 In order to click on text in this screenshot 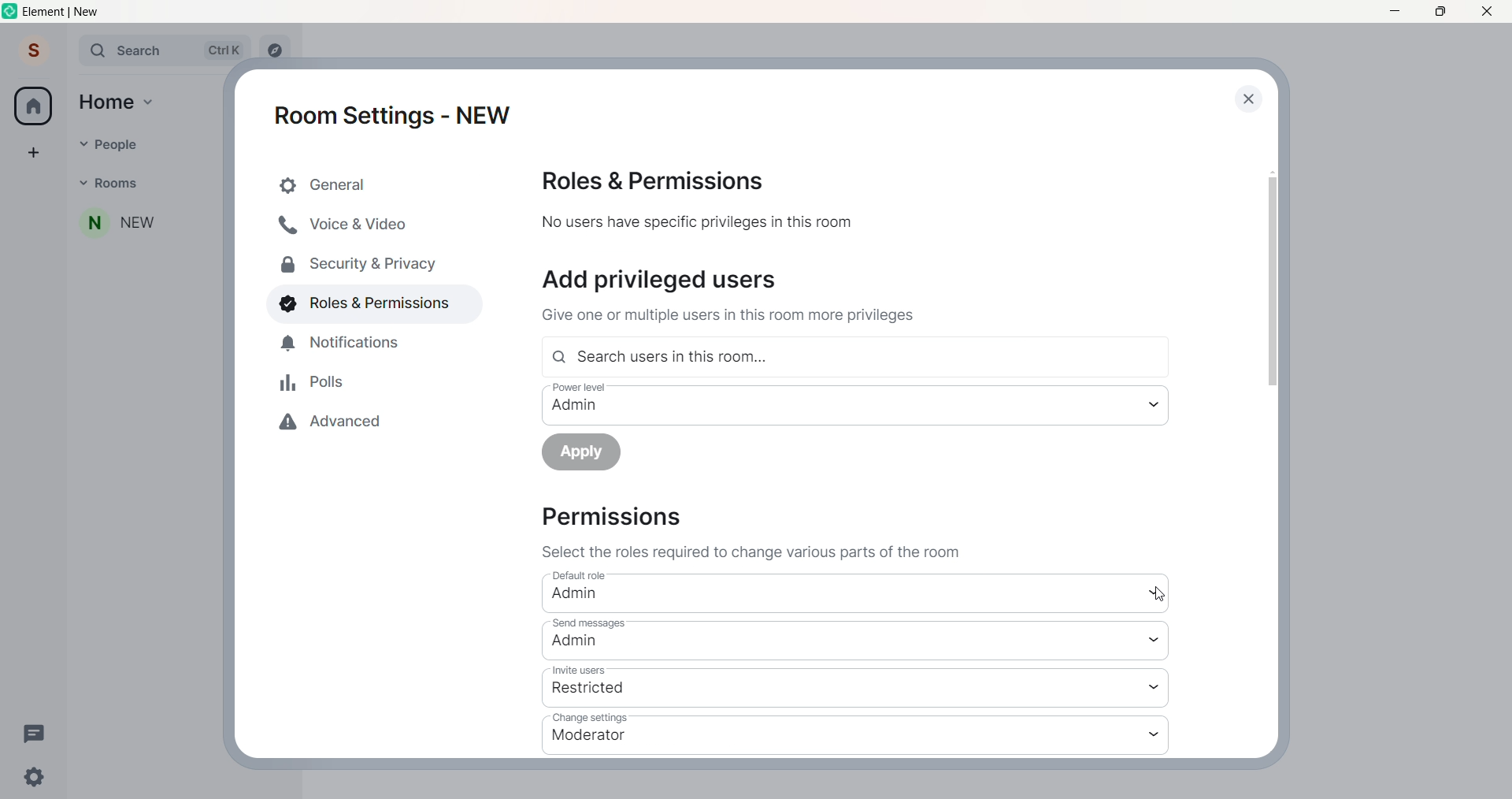, I will do `click(698, 223)`.